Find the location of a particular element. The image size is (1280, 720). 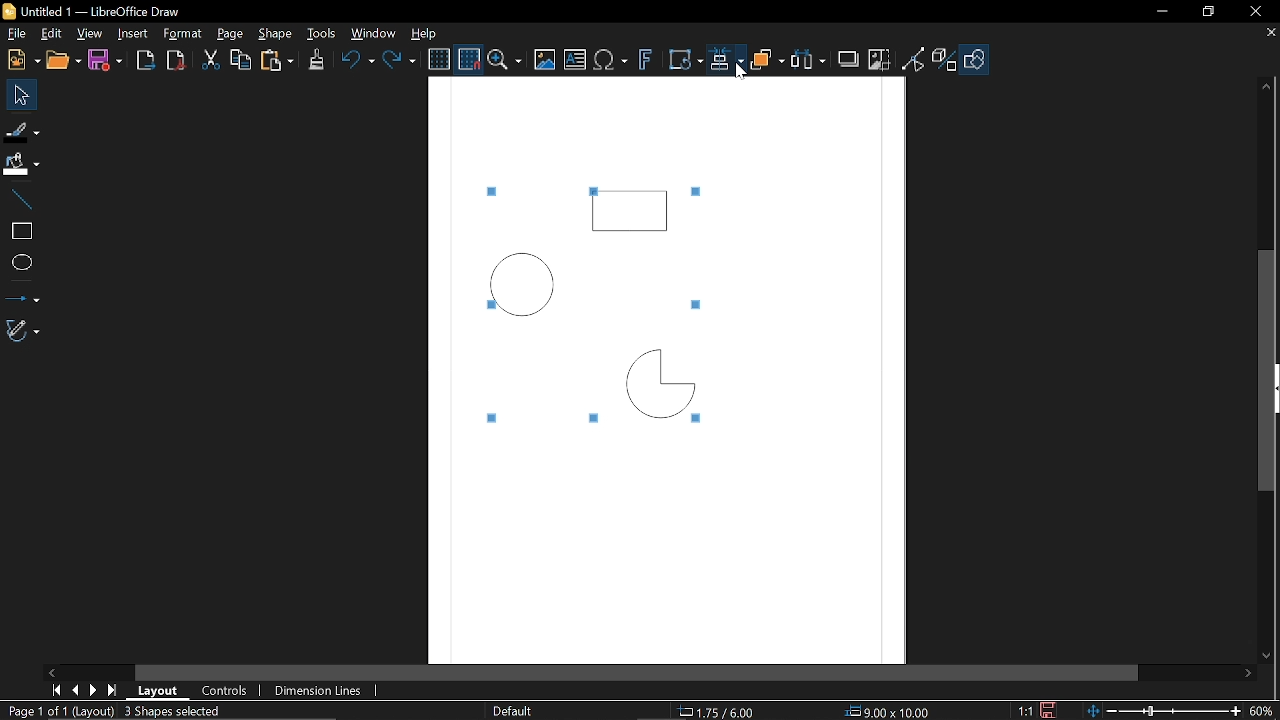

COntrols is located at coordinates (230, 691).